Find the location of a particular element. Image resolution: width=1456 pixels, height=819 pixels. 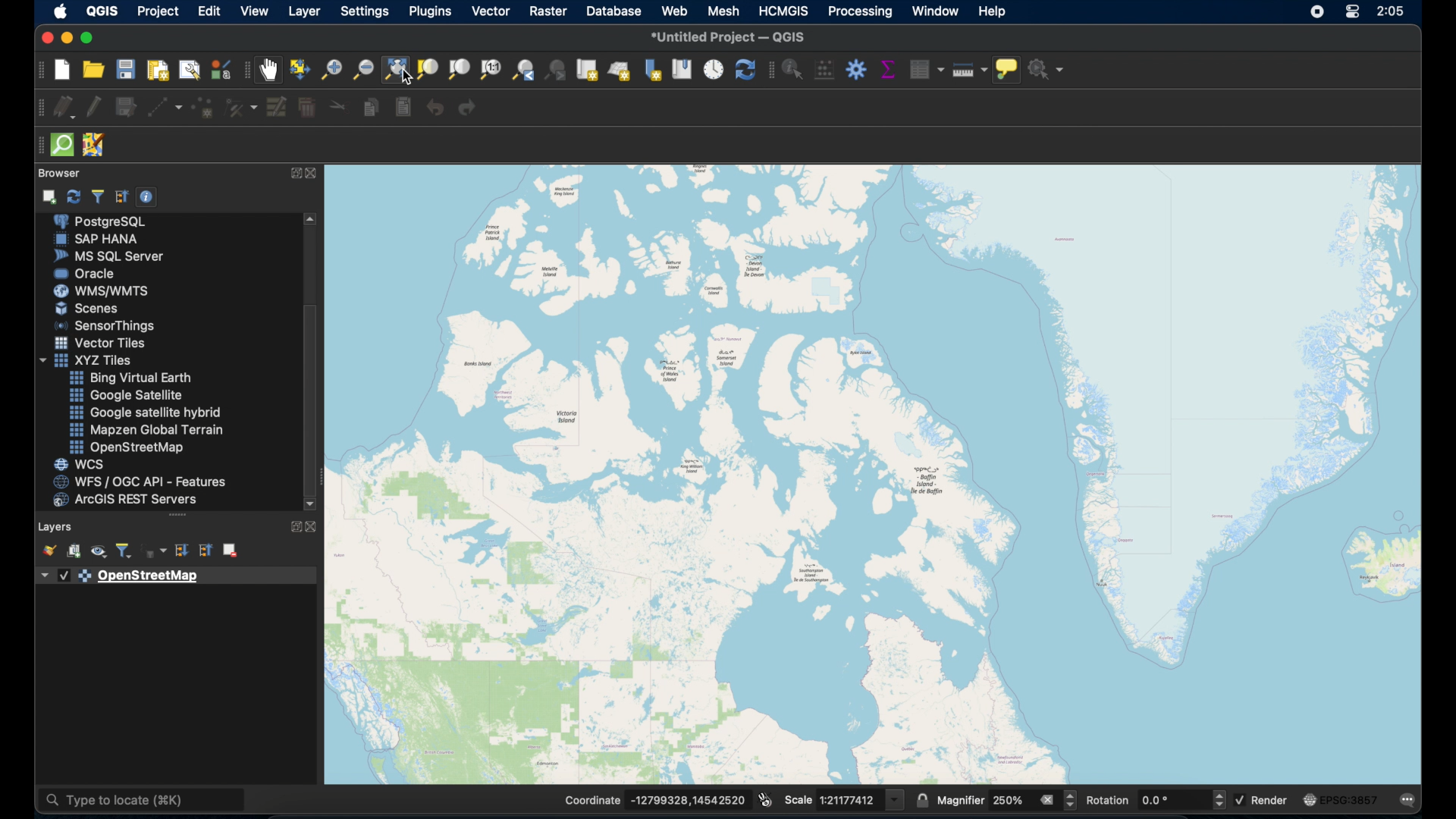

wfs/ogc api - features is located at coordinates (138, 482).